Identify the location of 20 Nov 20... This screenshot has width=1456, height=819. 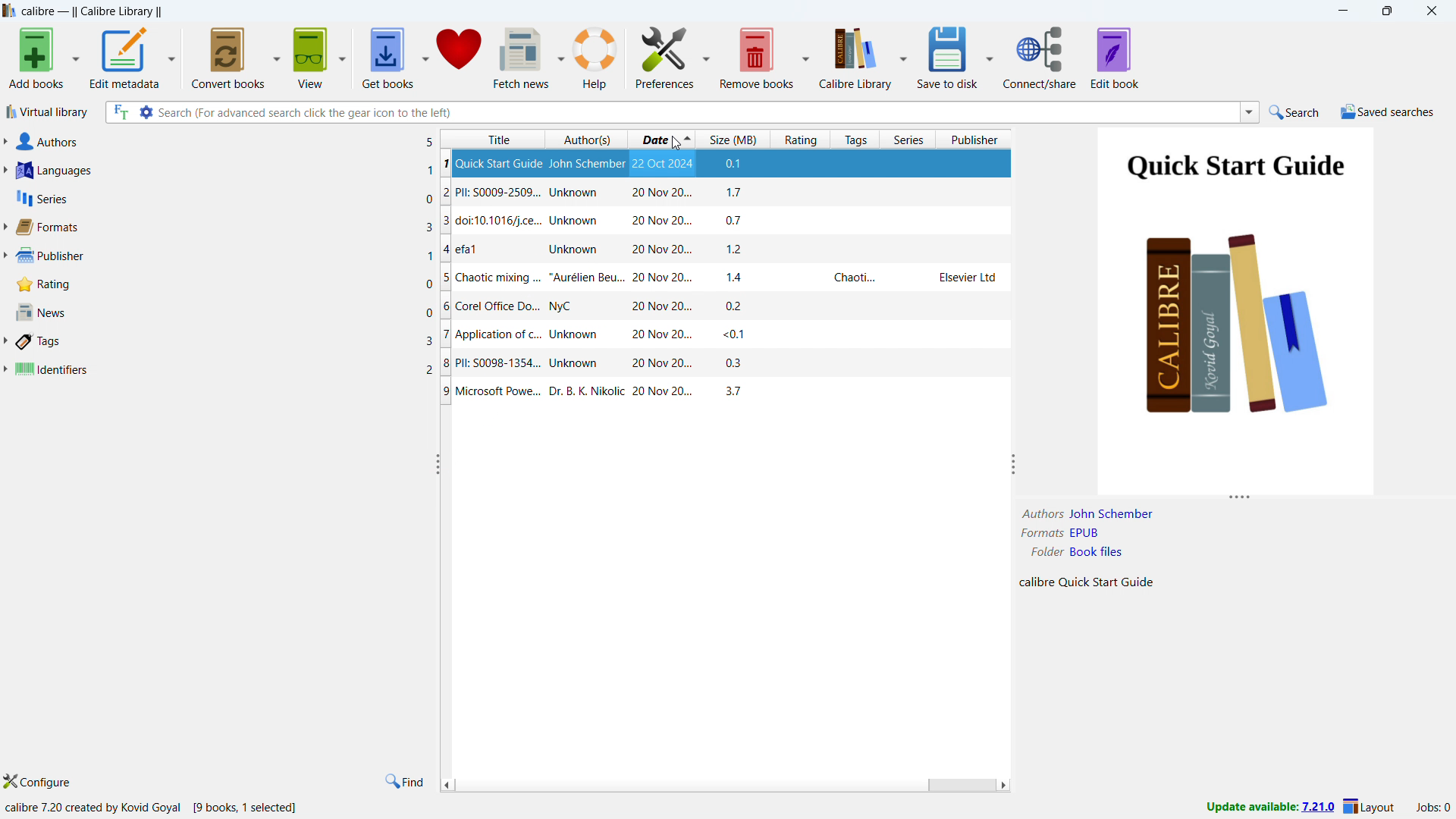
(661, 251).